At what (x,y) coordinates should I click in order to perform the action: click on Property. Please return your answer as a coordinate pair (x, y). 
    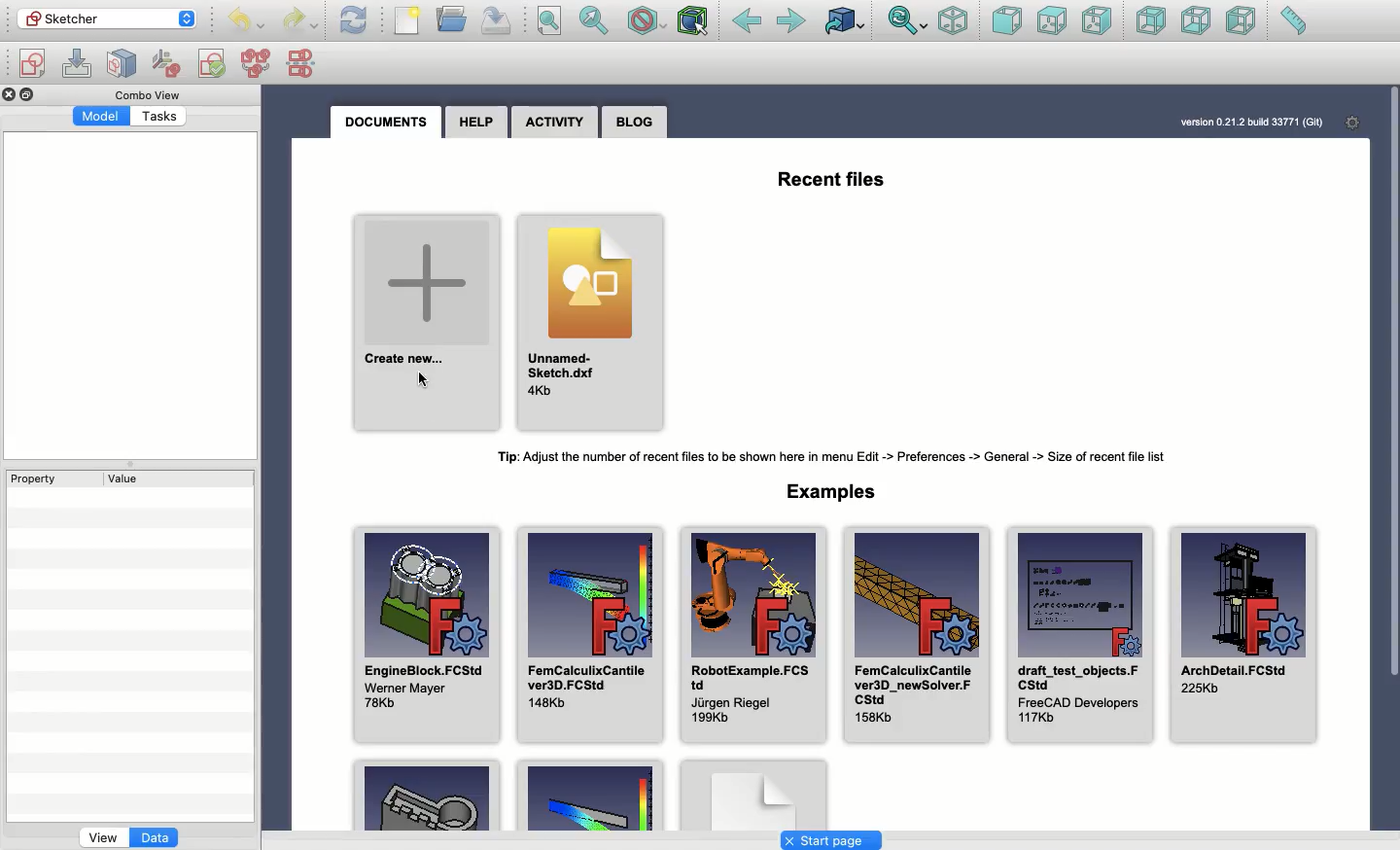
    Looking at the image, I should click on (38, 480).